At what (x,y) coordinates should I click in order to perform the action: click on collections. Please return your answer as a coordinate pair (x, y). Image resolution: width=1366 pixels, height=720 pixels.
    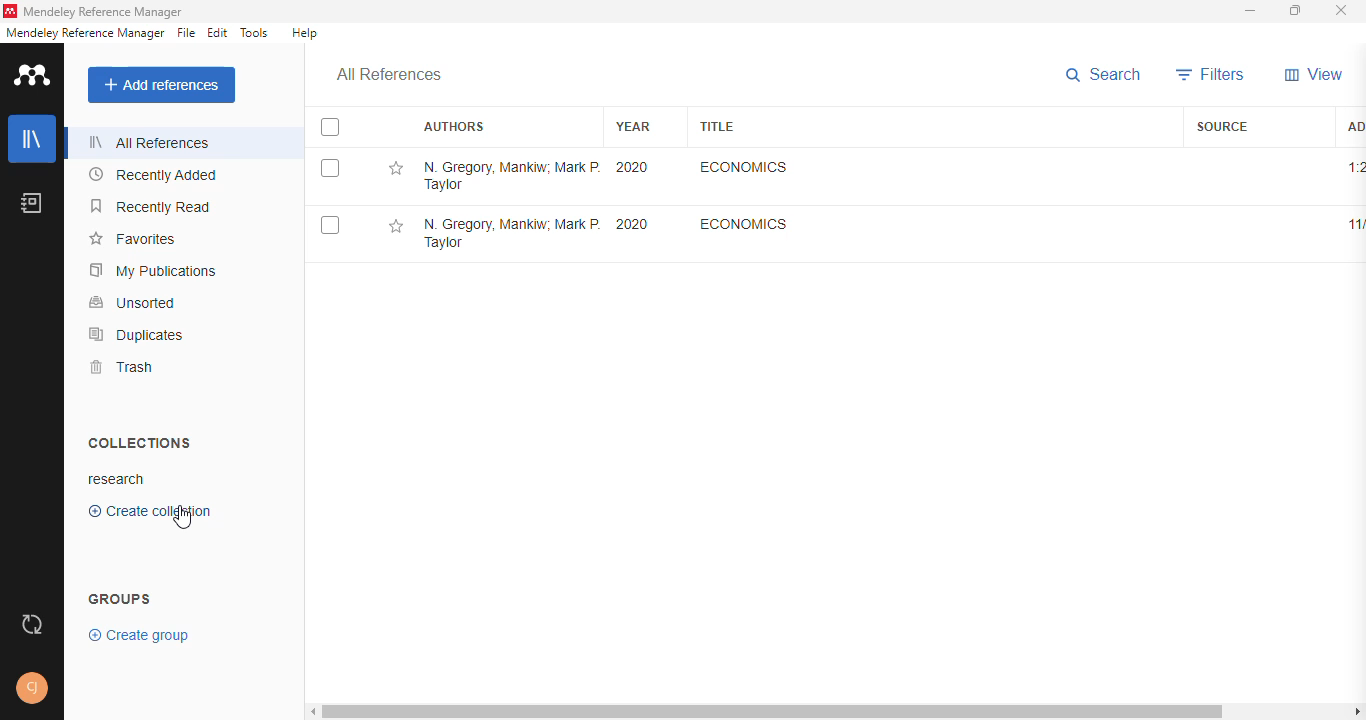
    Looking at the image, I should click on (139, 442).